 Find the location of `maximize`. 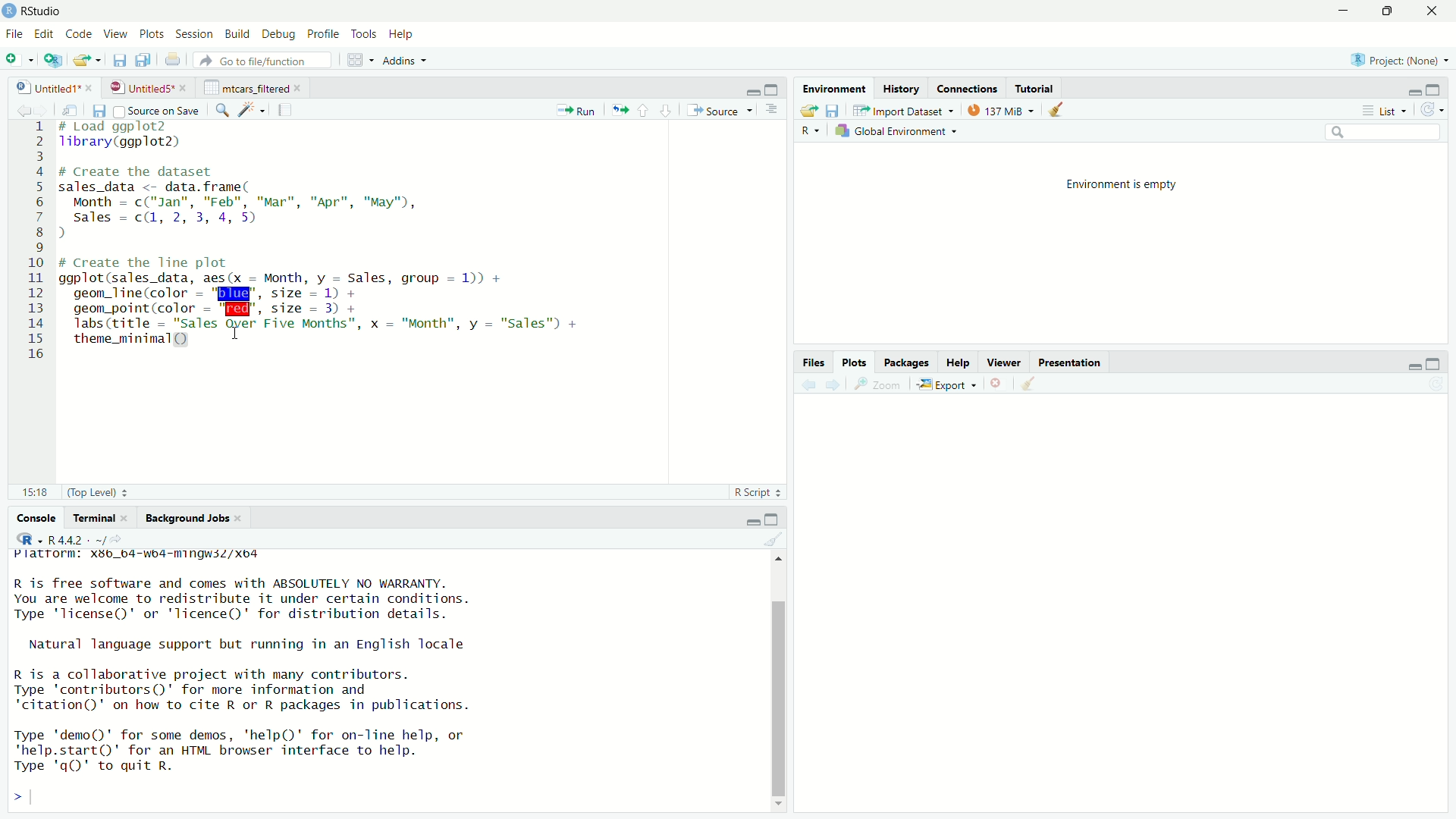

maximize is located at coordinates (774, 89).